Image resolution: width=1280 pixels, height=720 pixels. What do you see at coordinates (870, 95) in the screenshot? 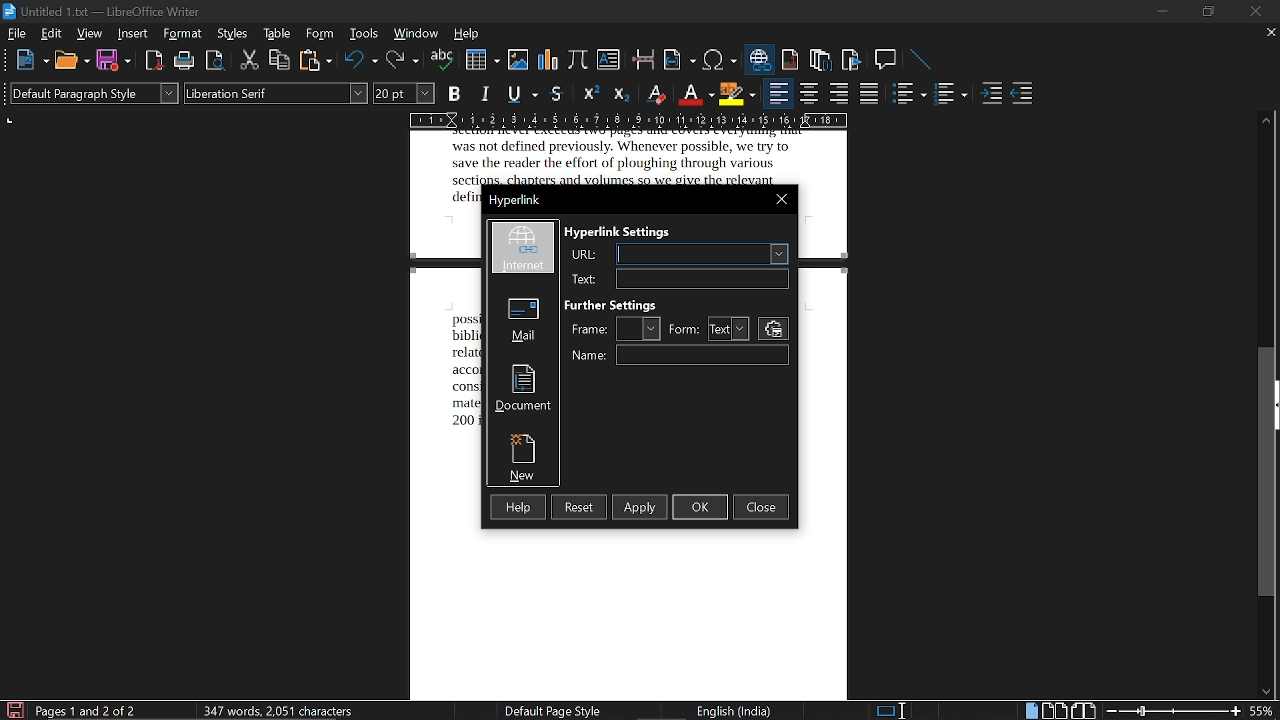
I see `justified` at bounding box center [870, 95].